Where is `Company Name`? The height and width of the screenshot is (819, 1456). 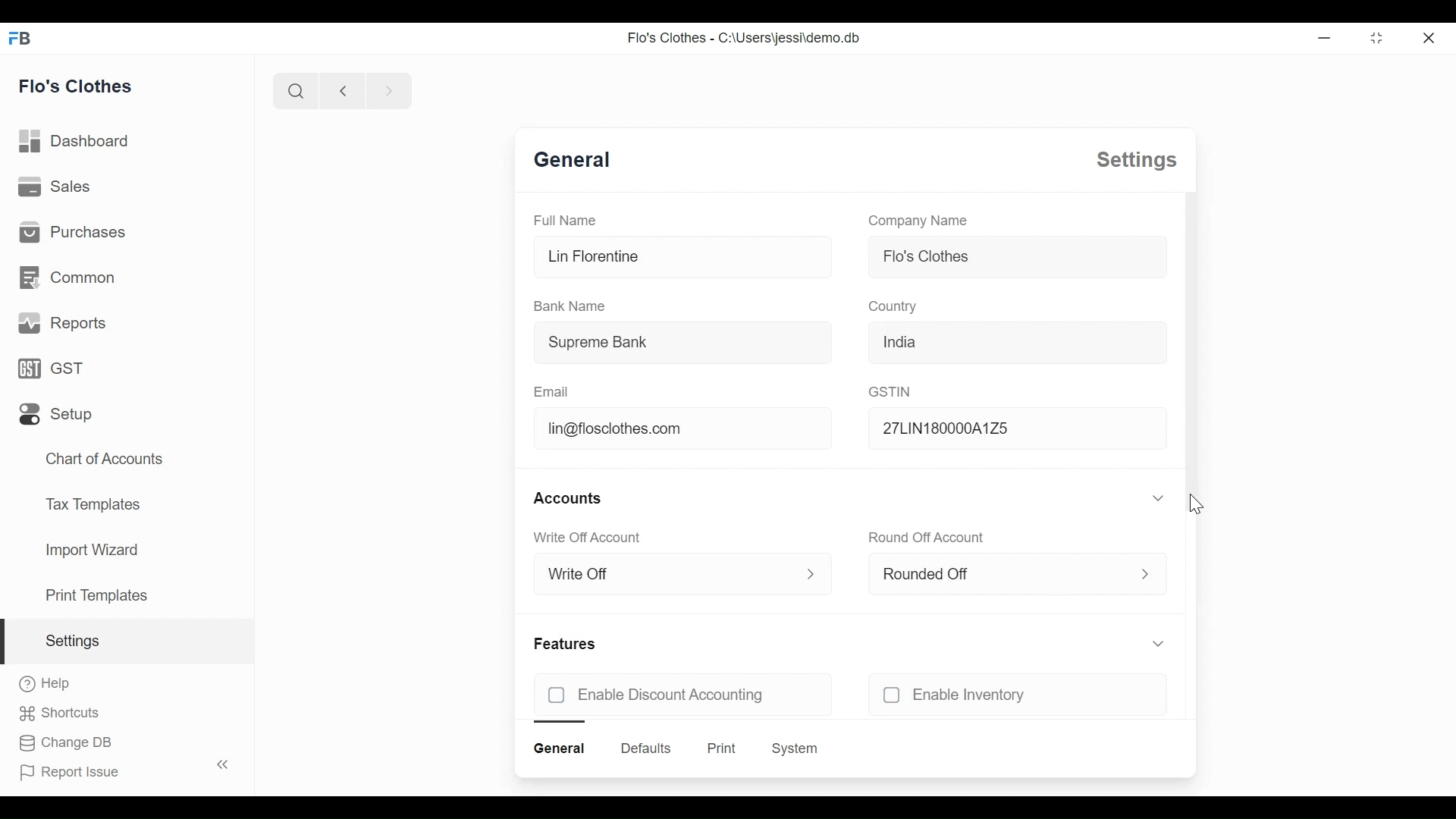
Company Name is located at coordinates (918, 219).